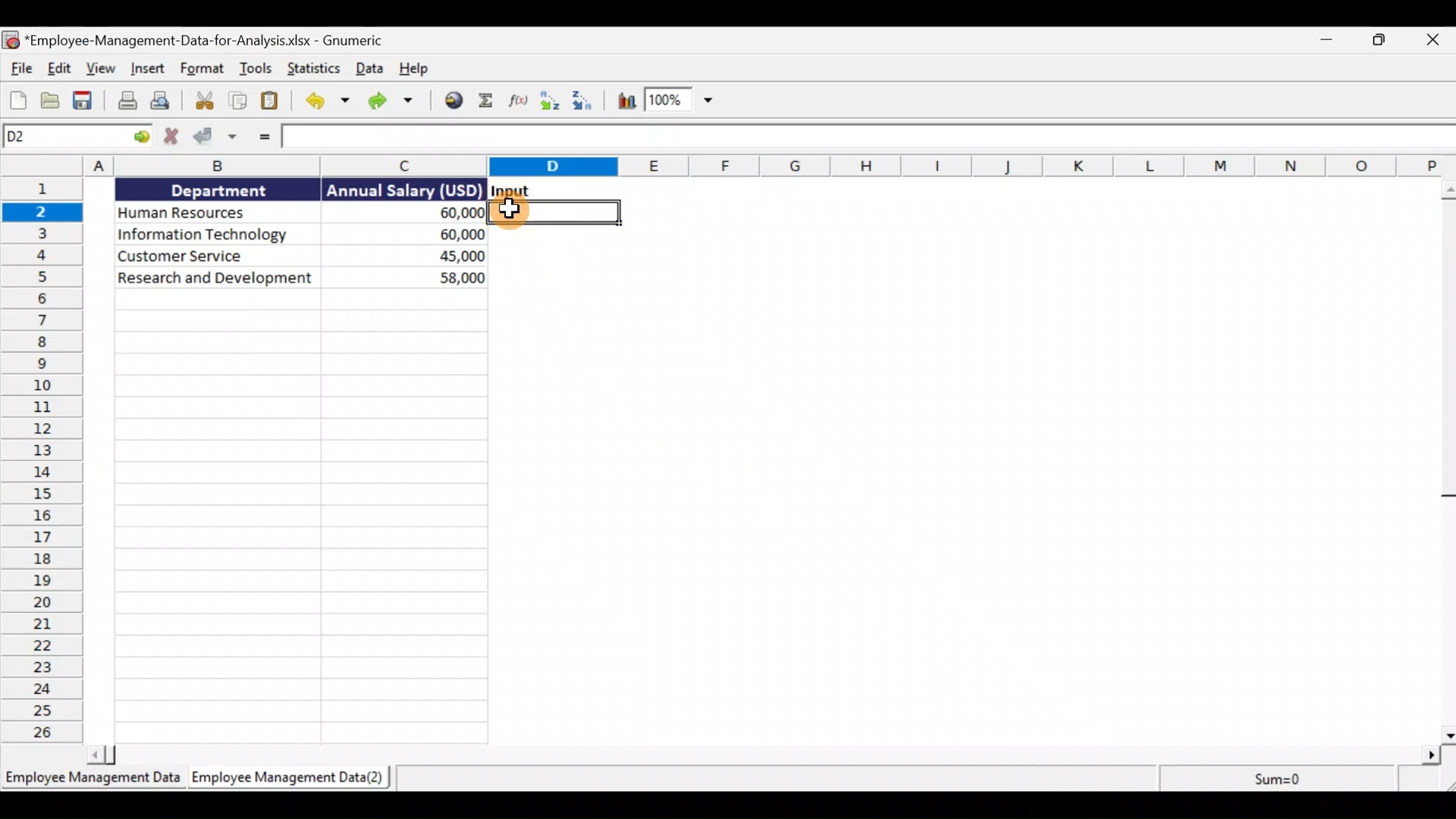 This screenshot has height=819, width=1456. I want to click on Cancel change, so click(168, 140).